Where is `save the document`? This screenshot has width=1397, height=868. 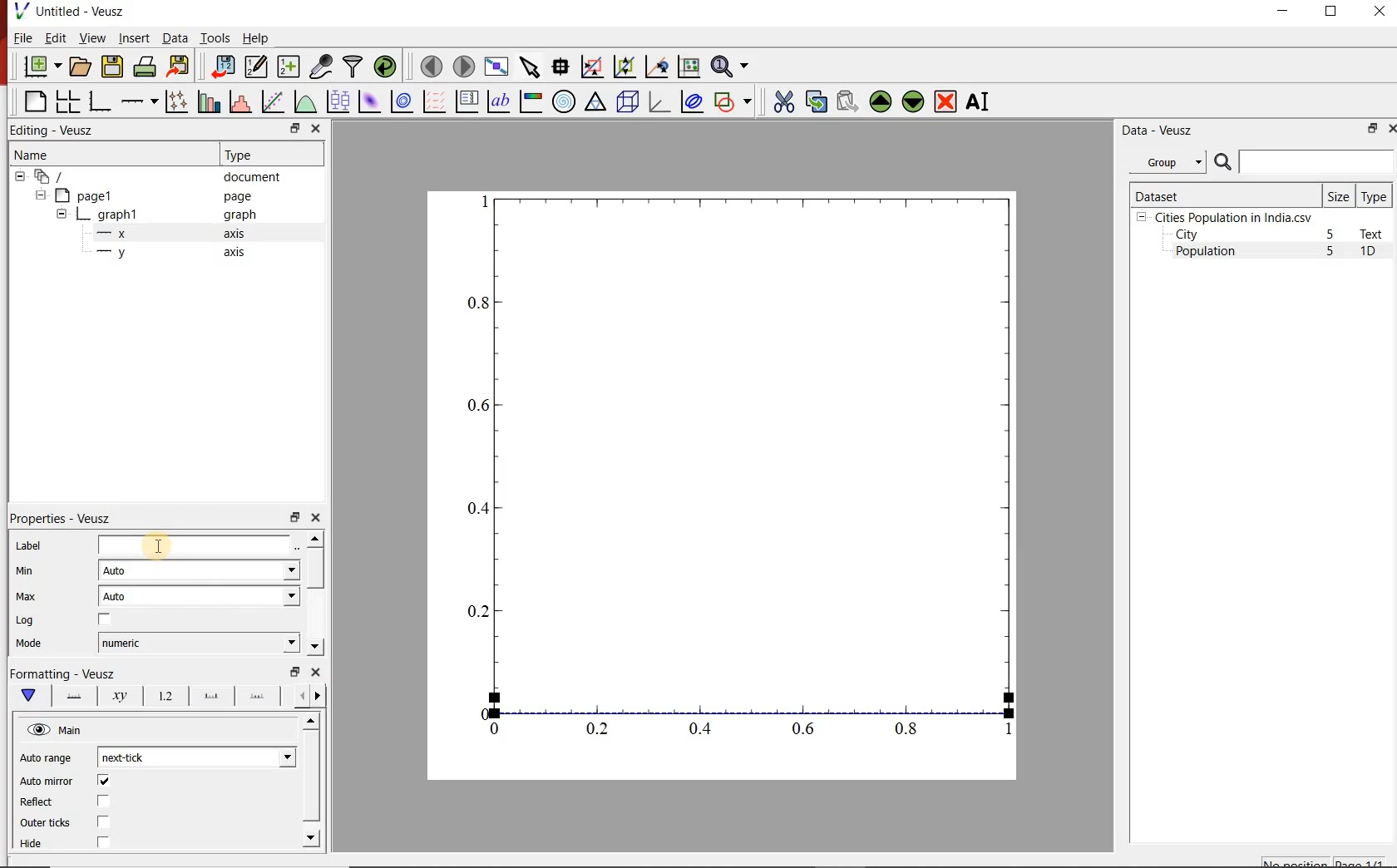 save the document is located at coordinates (112, 65).